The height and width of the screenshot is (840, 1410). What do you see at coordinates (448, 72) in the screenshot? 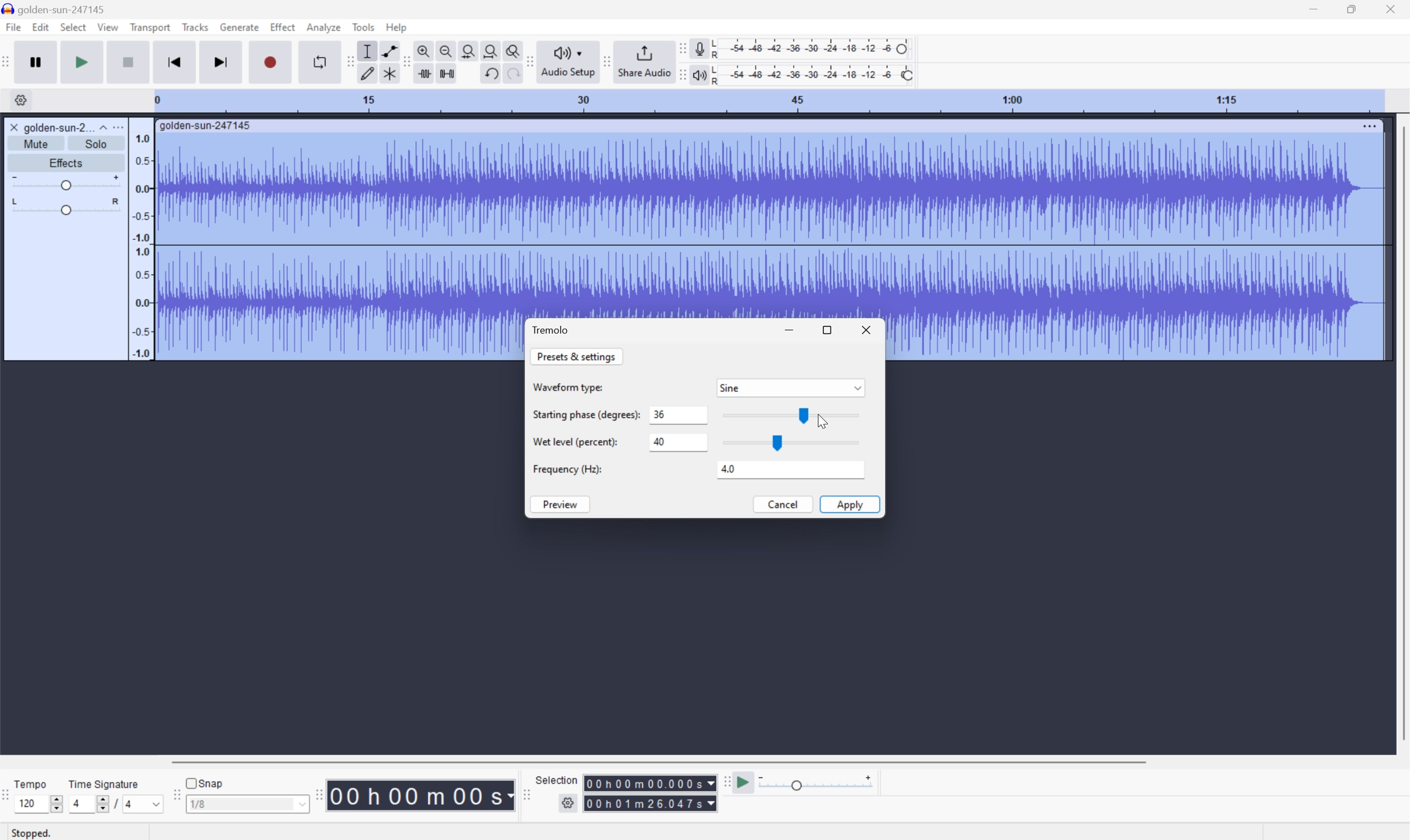
I see `Silence audio selection` at bounding box center [448, 72].